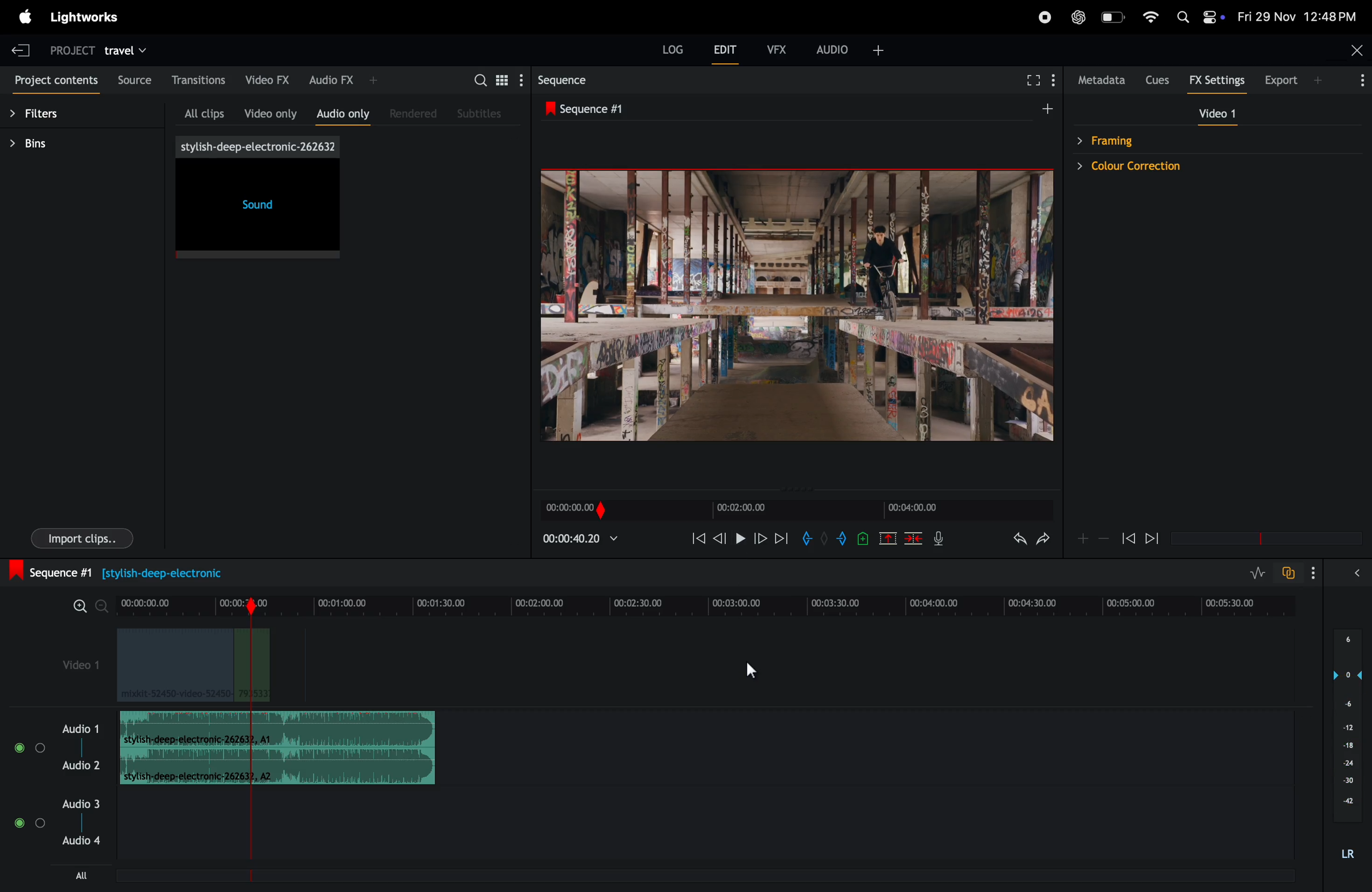 The width and height of the screenshot is (1372, 892). Describe the element at coordinates (1151, 16) in the screenshot. I see `wifi` at that location.